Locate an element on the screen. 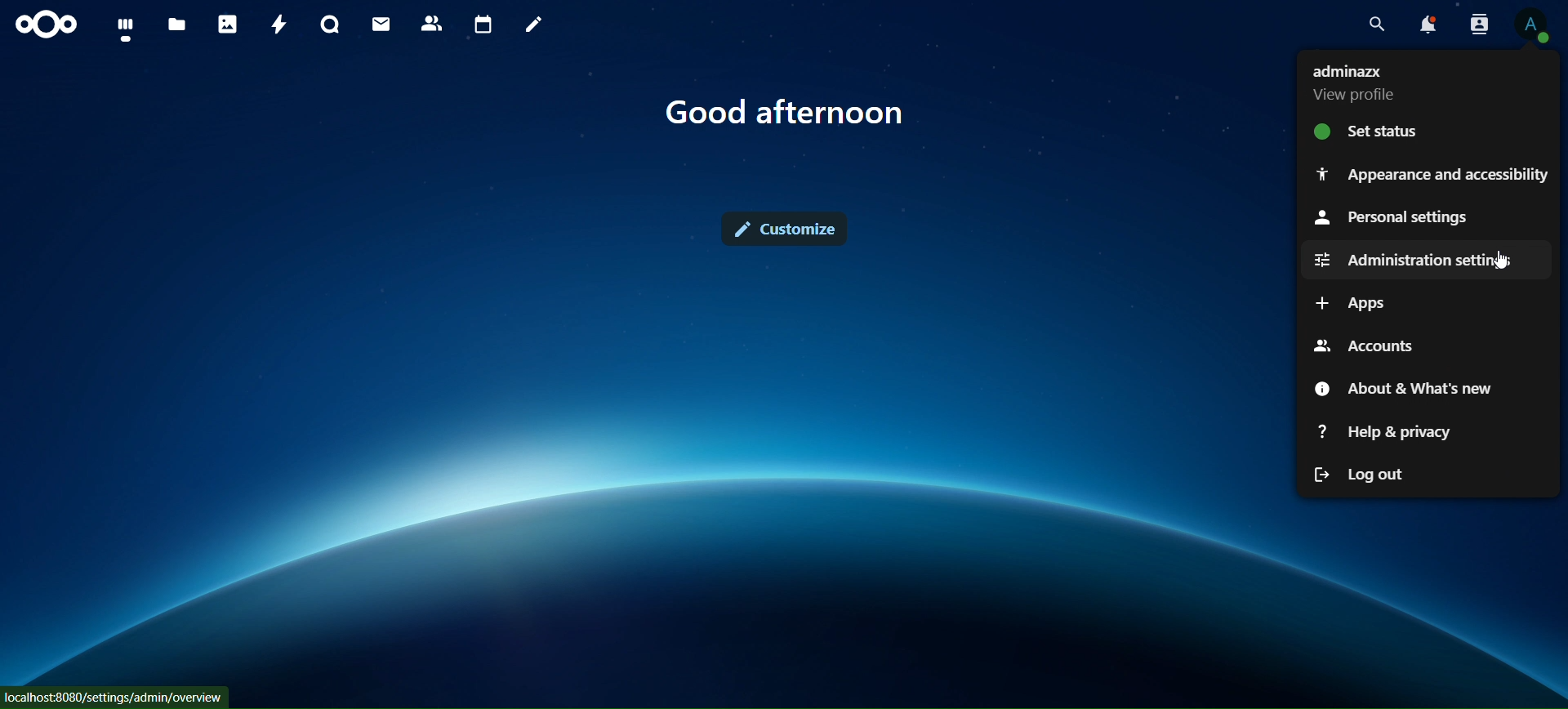 The width and height of the screenshot is (1568, 709). calendar is located at coordinates (481, 24).